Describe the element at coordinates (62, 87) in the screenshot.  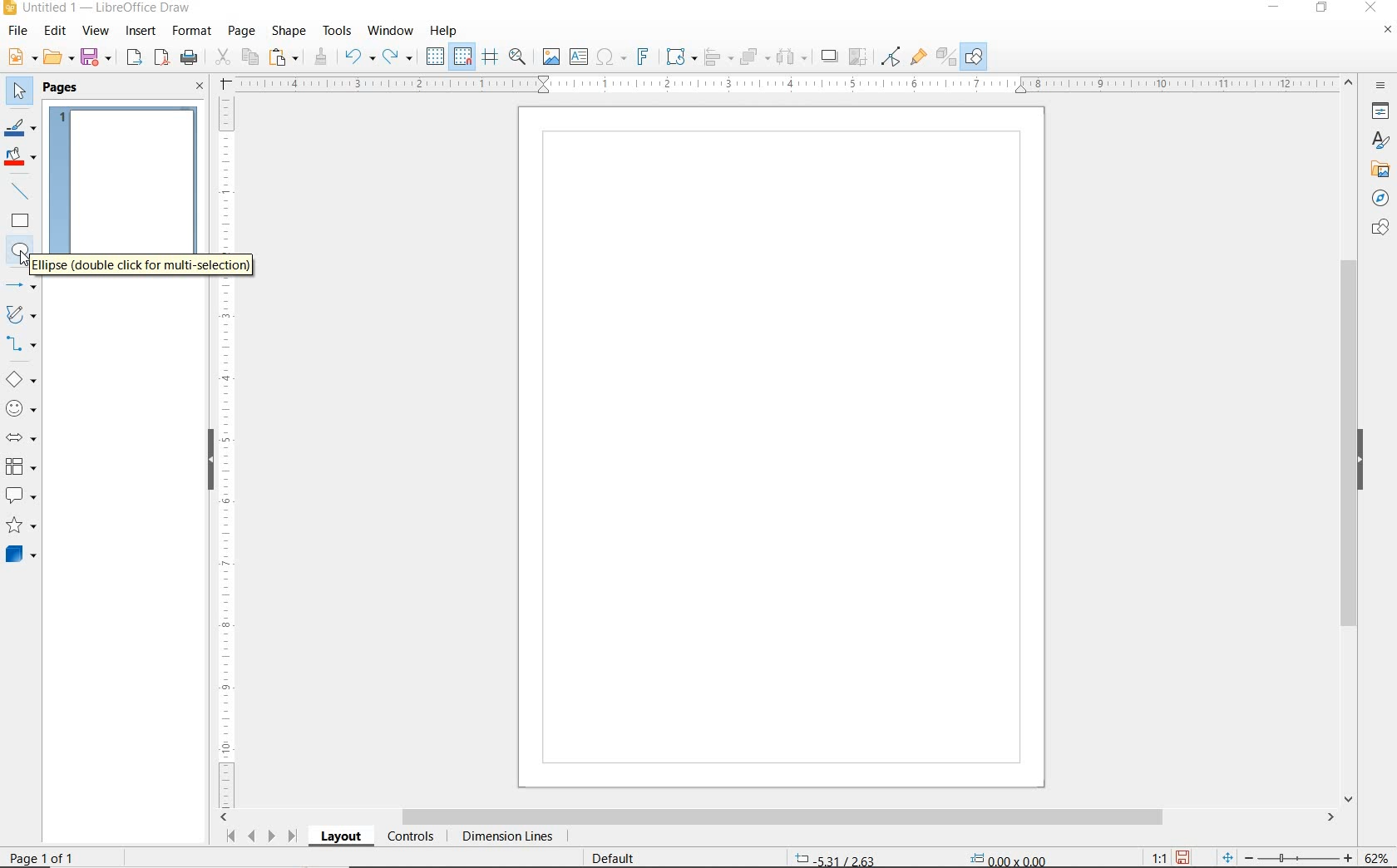
I see `PAGES` at that location.